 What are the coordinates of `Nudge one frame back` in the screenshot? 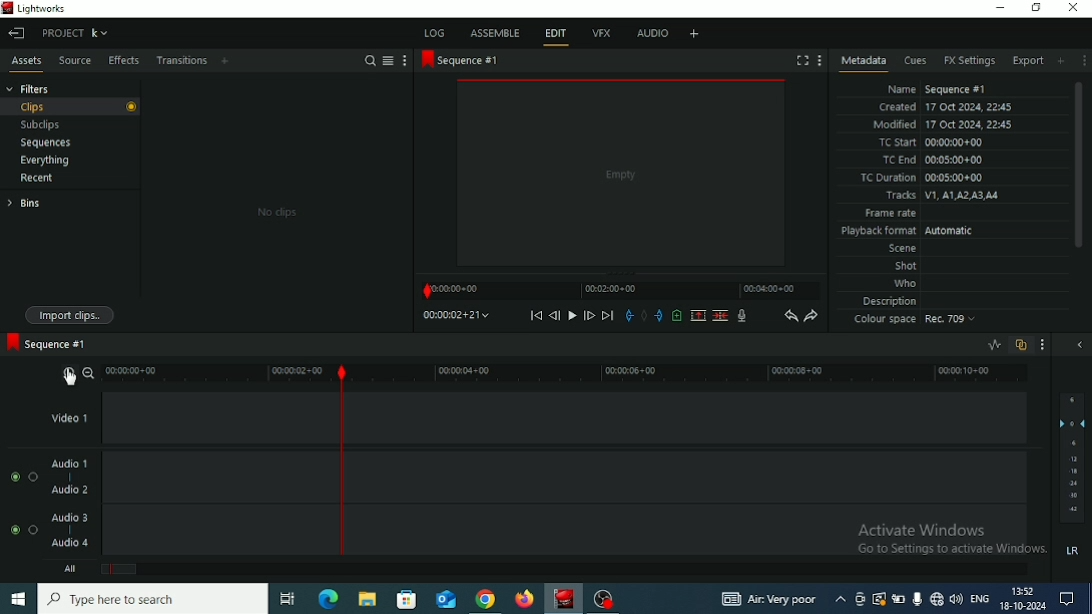 It's located at (554, 315).